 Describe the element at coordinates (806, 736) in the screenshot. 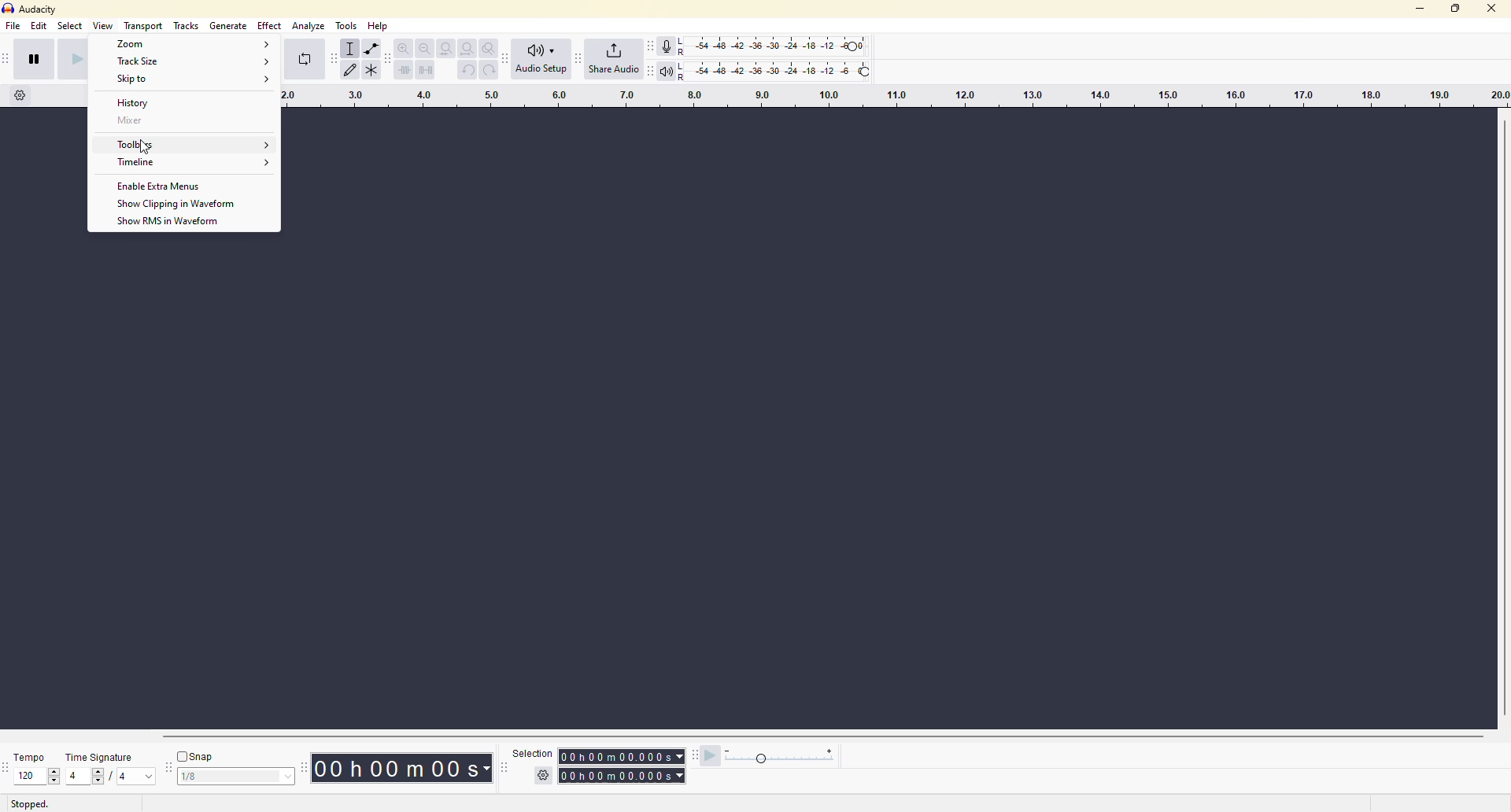

I see `Horizontal scrollbar` at that location.